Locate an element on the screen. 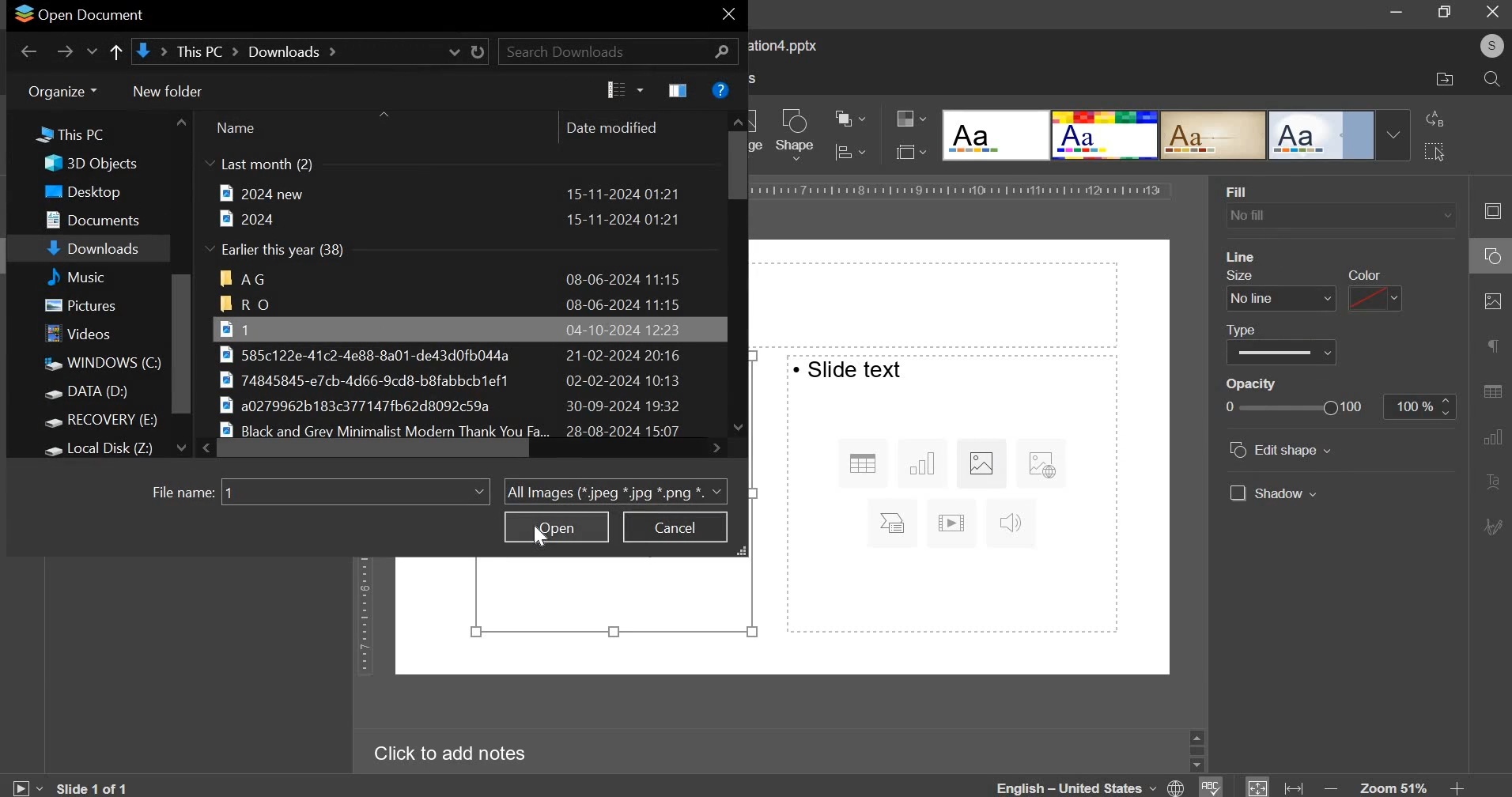 The height and width of the screenshot is (797, 1512). signature is located at coordinates (1495, 526).